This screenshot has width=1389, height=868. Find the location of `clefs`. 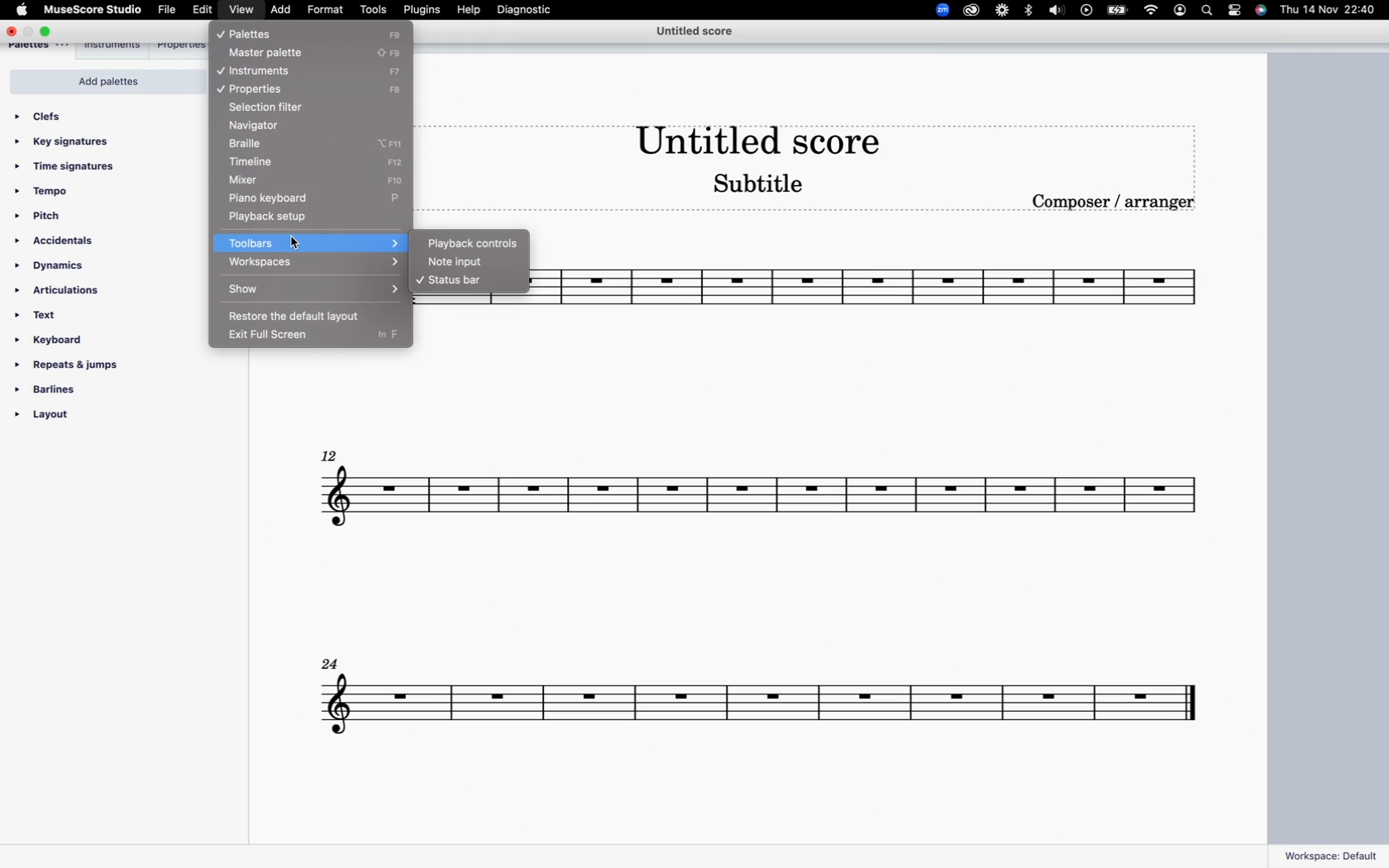

clefs is located at coordinates (50, 116).